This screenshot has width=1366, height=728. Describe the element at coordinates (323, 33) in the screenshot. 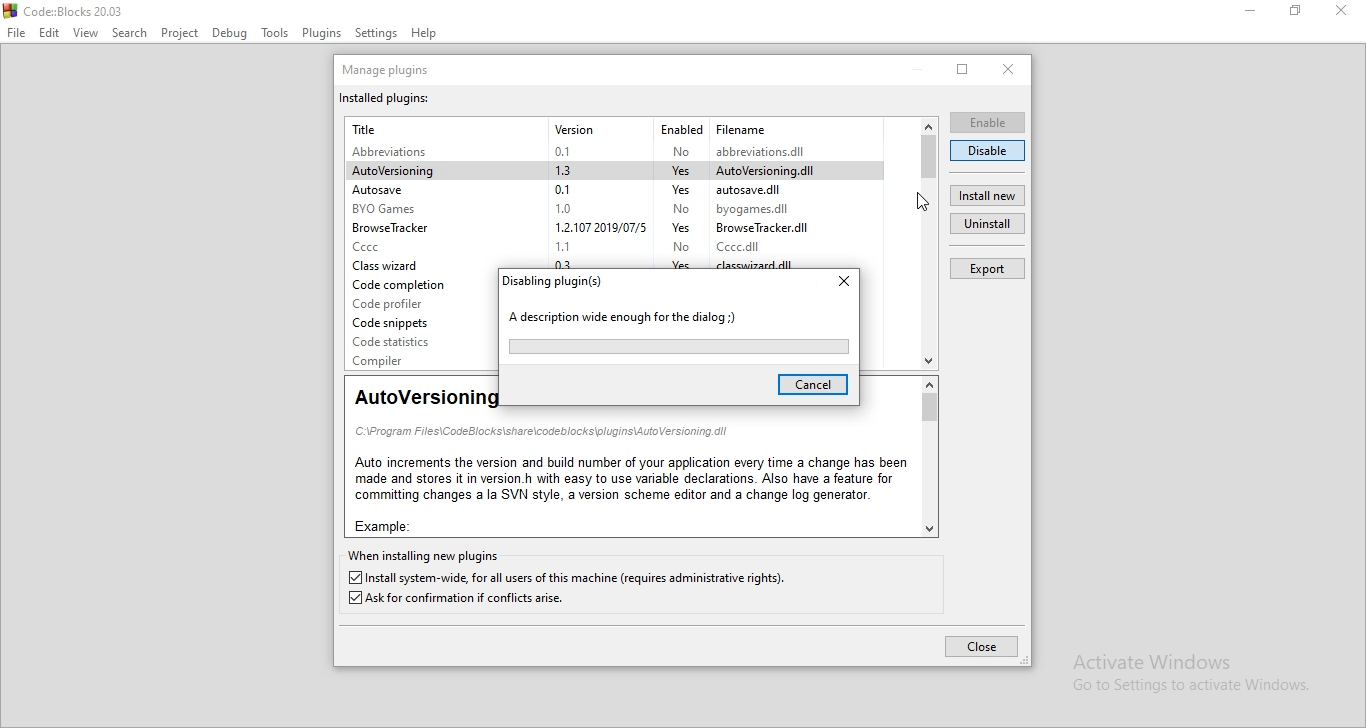

I see `plugins` at that location.